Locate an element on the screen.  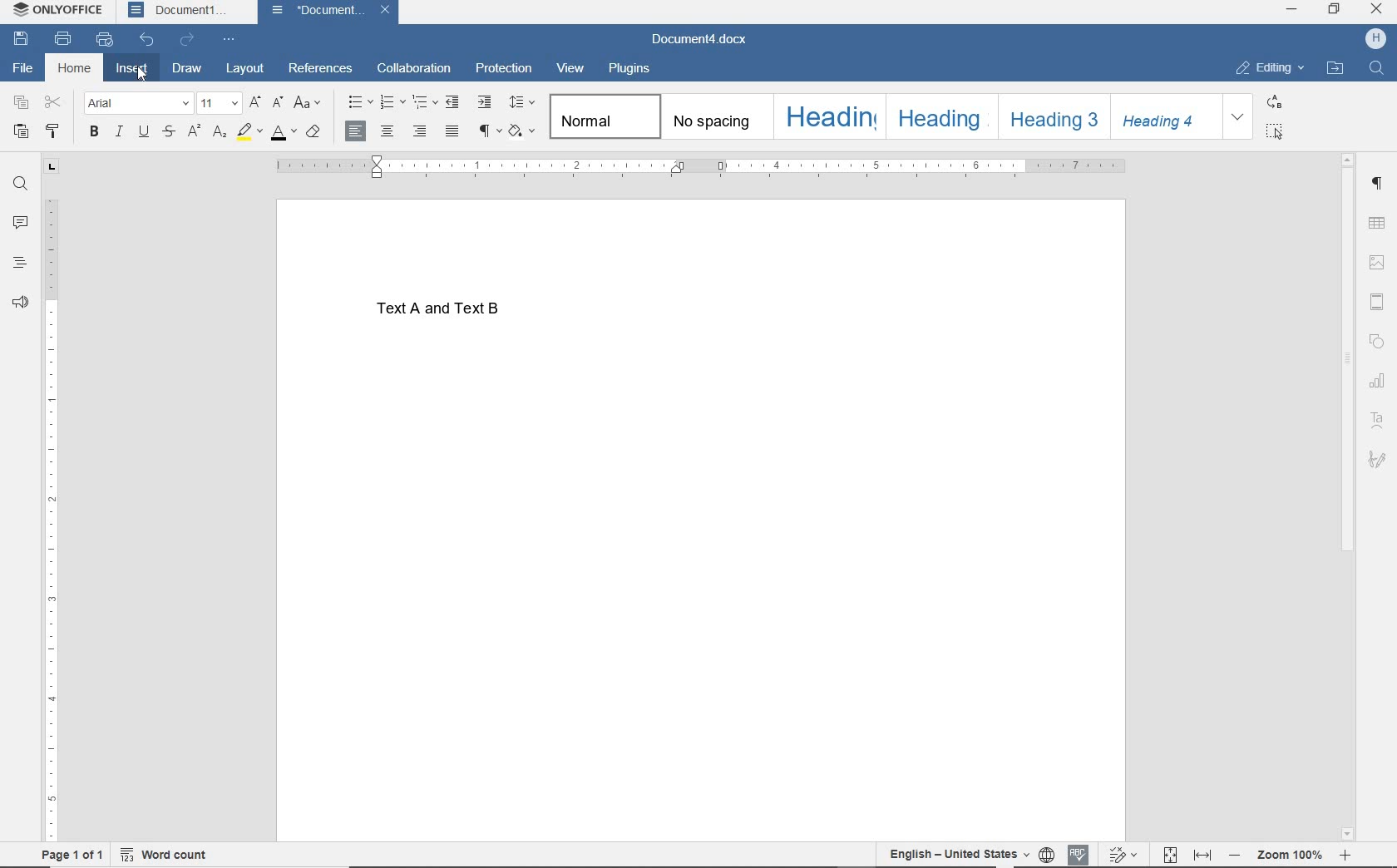
SYSTEM NAME is located at coordinates (61, 11).